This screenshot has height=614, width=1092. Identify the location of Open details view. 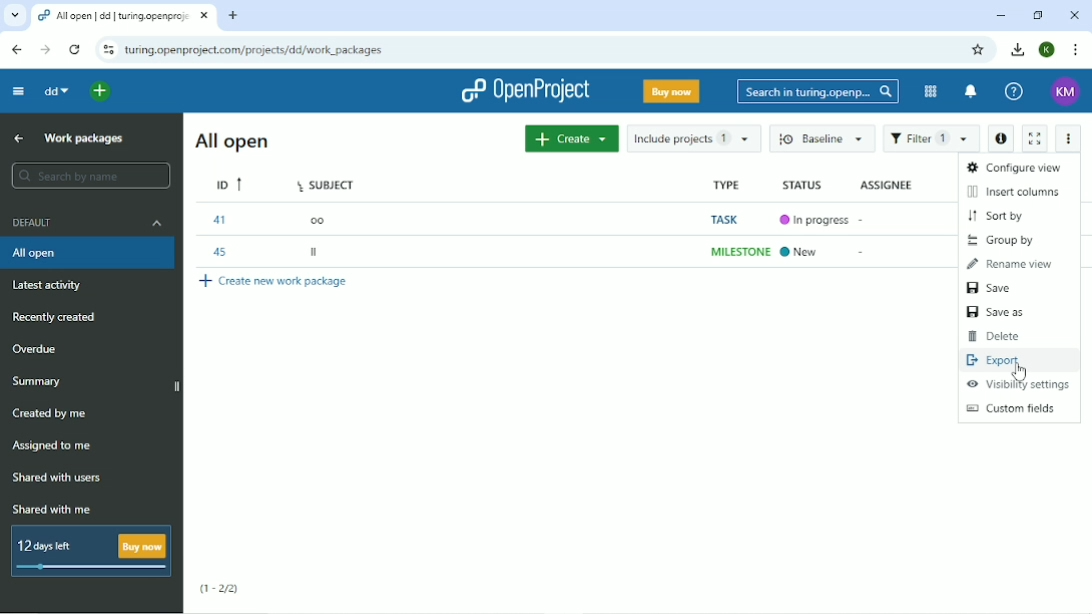
(1002, 139).